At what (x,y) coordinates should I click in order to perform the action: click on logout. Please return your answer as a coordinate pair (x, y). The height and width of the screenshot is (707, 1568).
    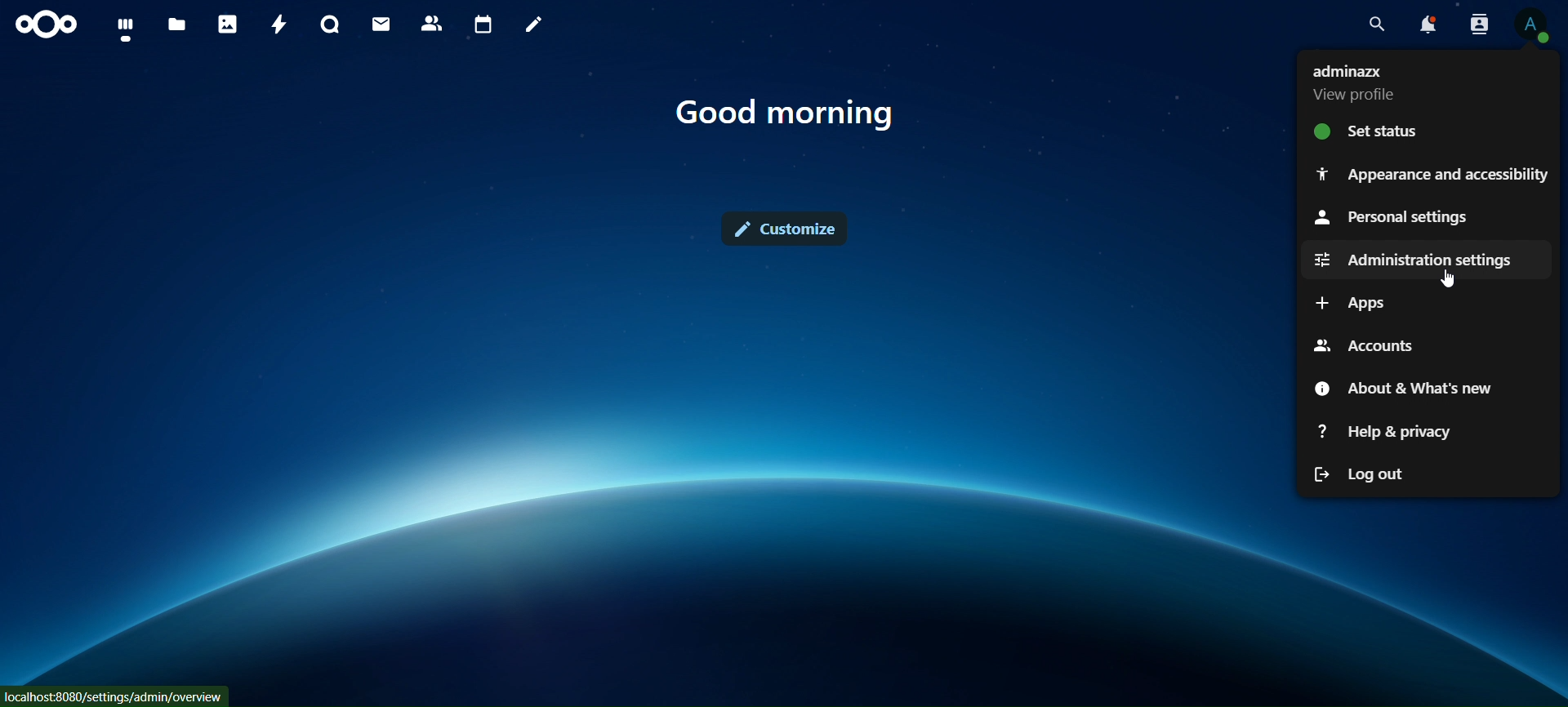
    Looking at the image, I should click on (1381, 474).